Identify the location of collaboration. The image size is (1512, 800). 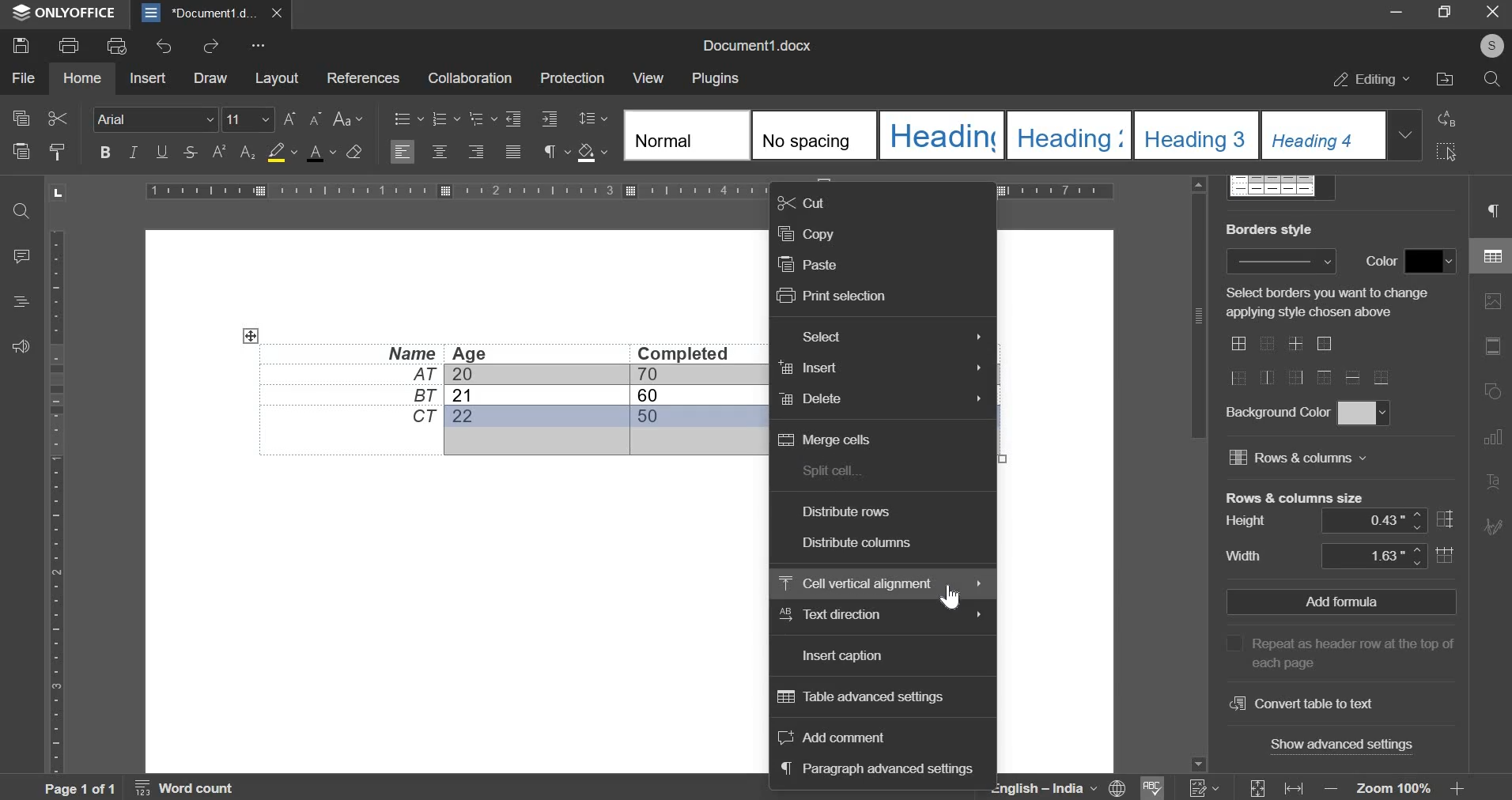
(469, 77).